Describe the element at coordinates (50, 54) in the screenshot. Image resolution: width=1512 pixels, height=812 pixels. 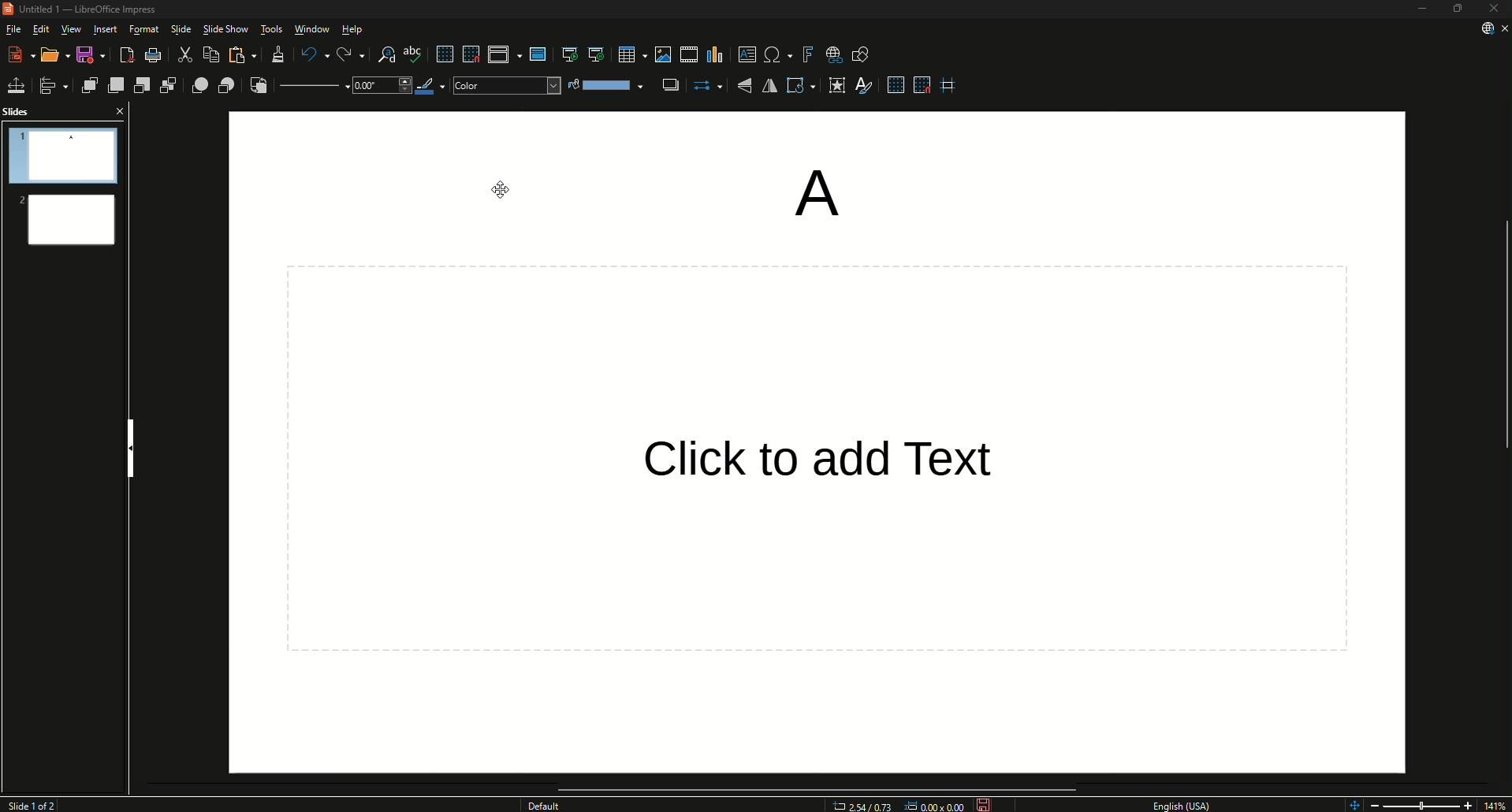
I see `Open` at that location.